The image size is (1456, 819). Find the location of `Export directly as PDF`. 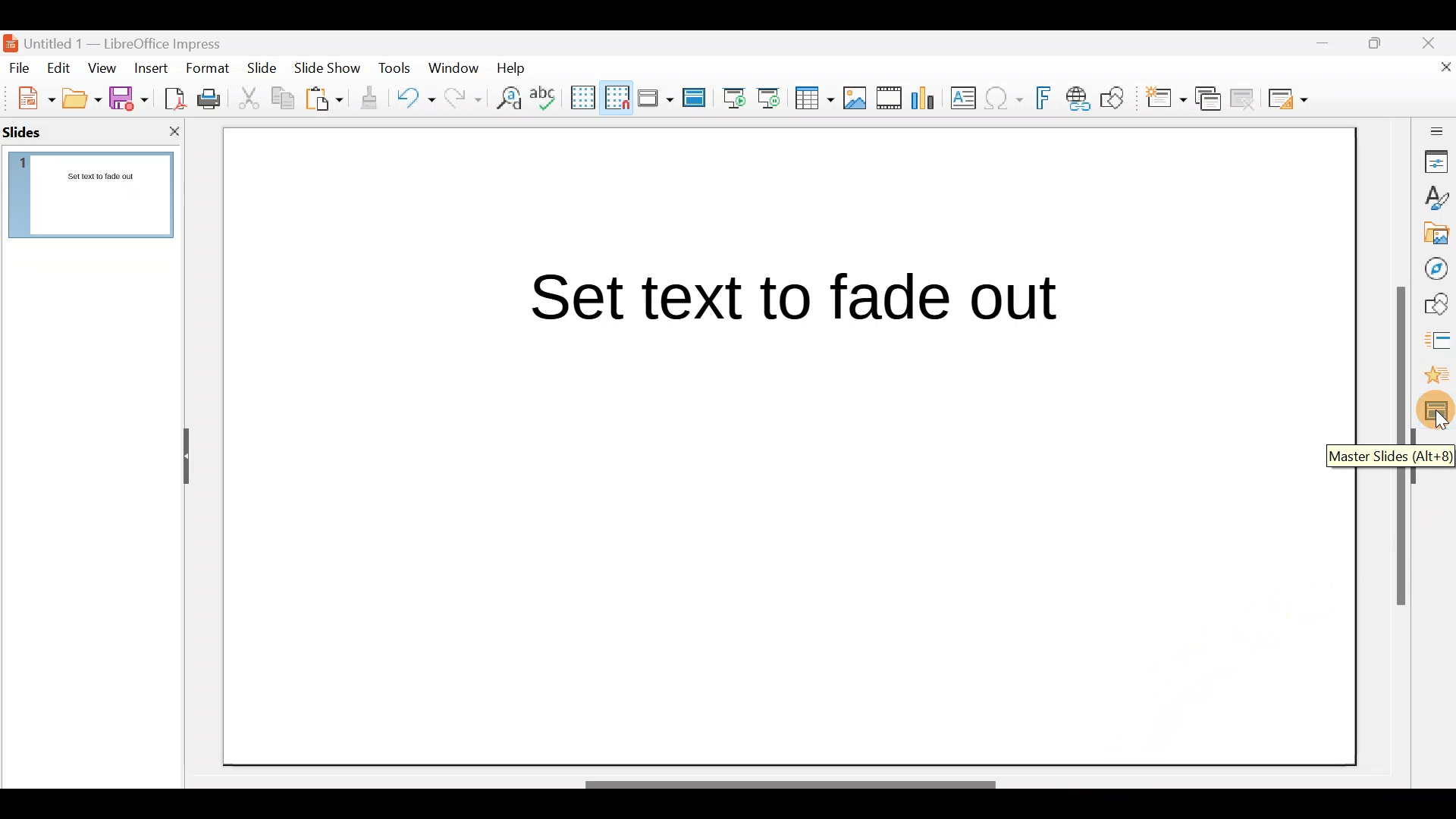

Export directly as PDF is located at coordinates (171, 97).